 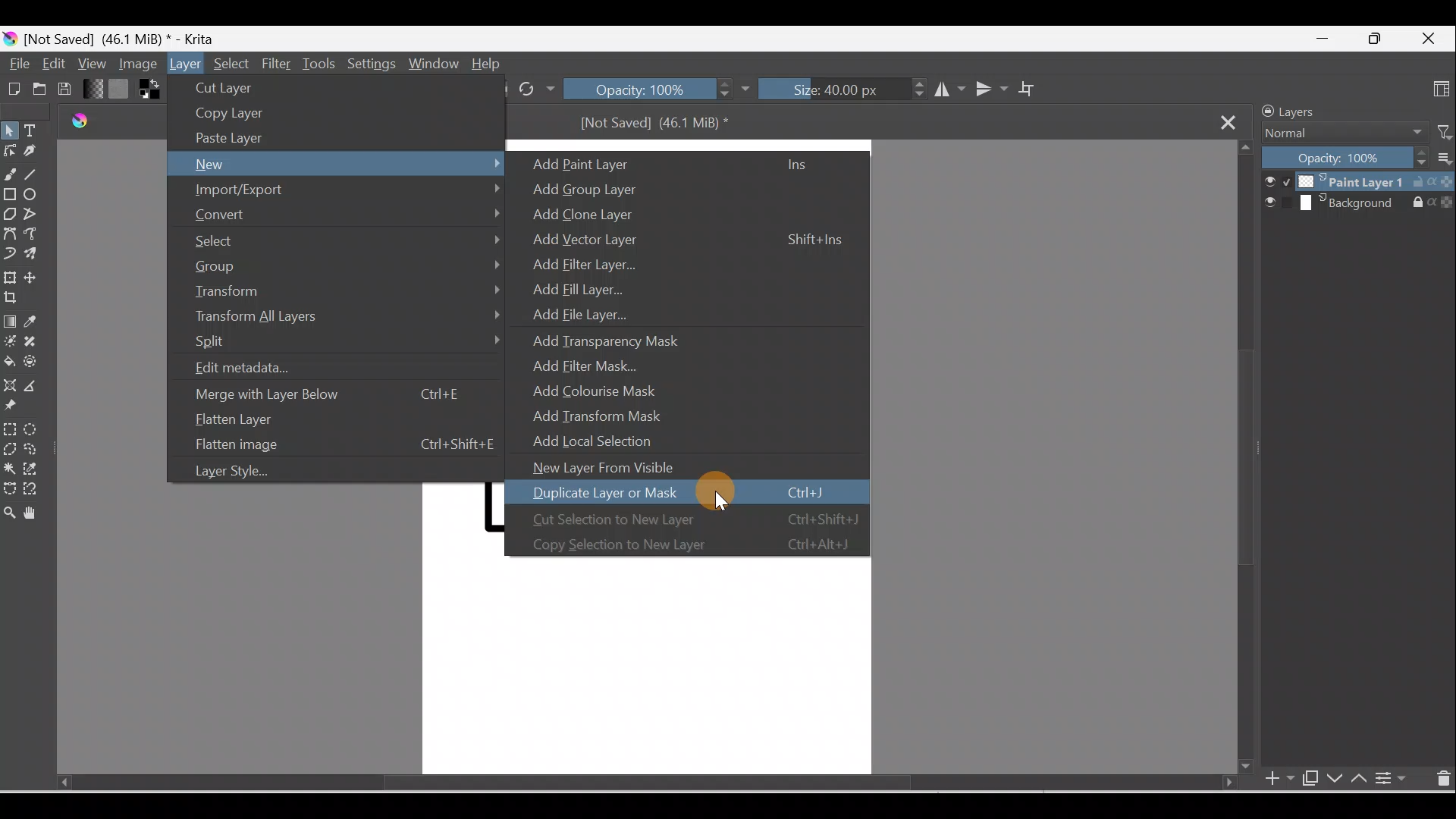 What do you see at coordinates (1439, 89) in the screenshot?
I see `Choose workspace` at bounding box center [1439, 89].